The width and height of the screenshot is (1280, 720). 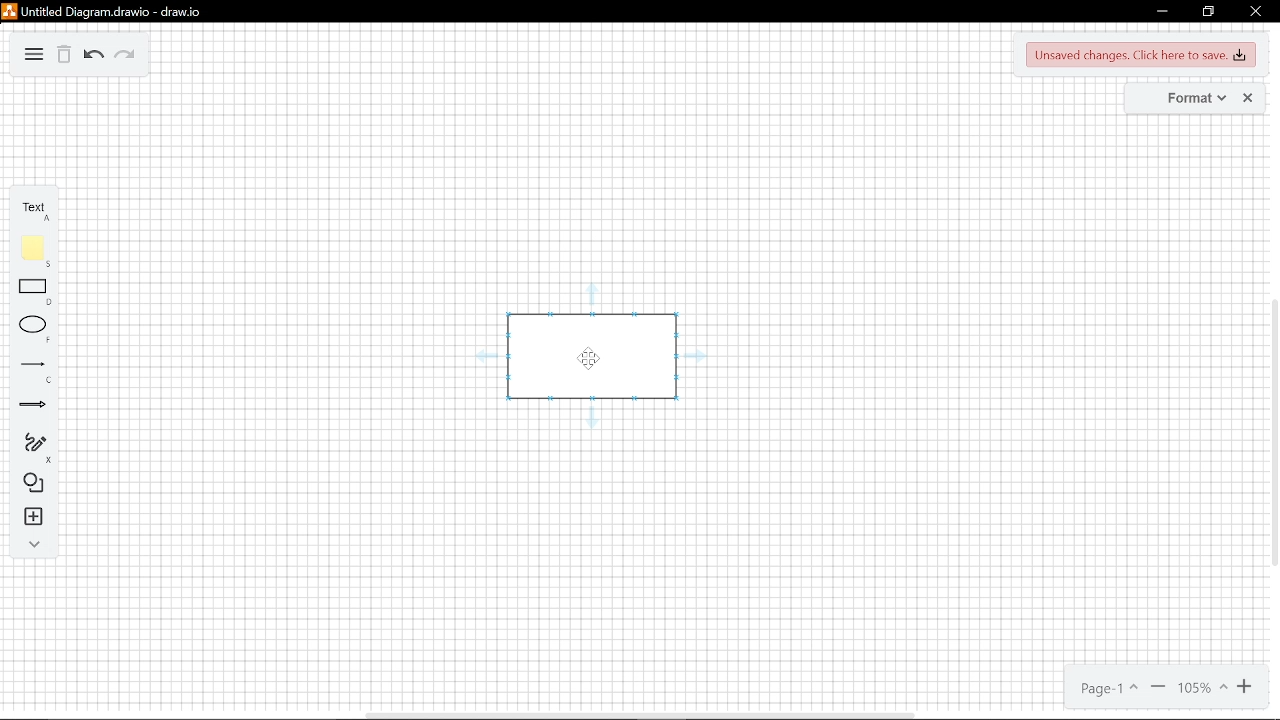 I want to click on restore down, so click(x=1206, y=13).